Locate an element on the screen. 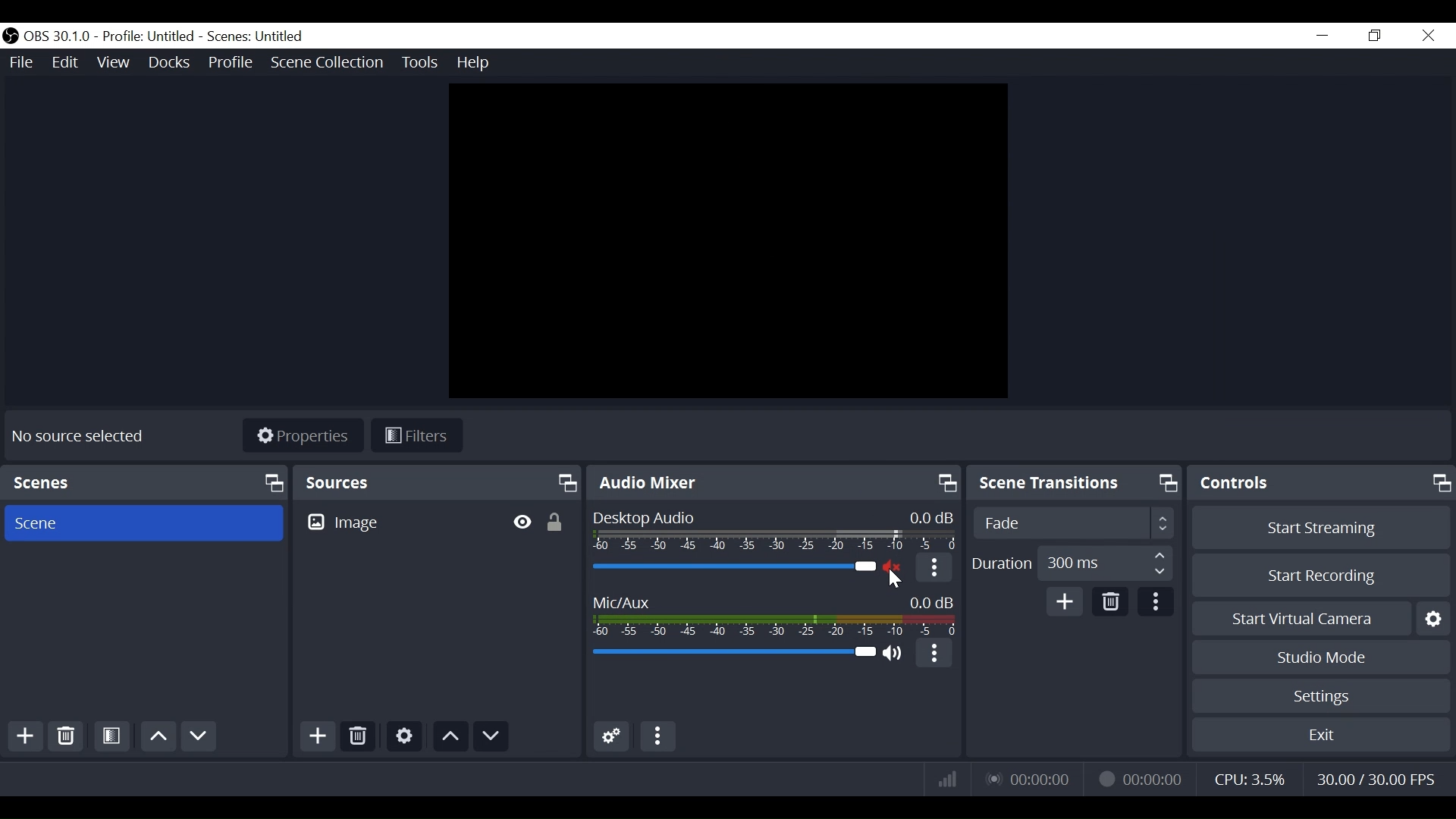  CPU Usage is located at coordinates (1254, 777).